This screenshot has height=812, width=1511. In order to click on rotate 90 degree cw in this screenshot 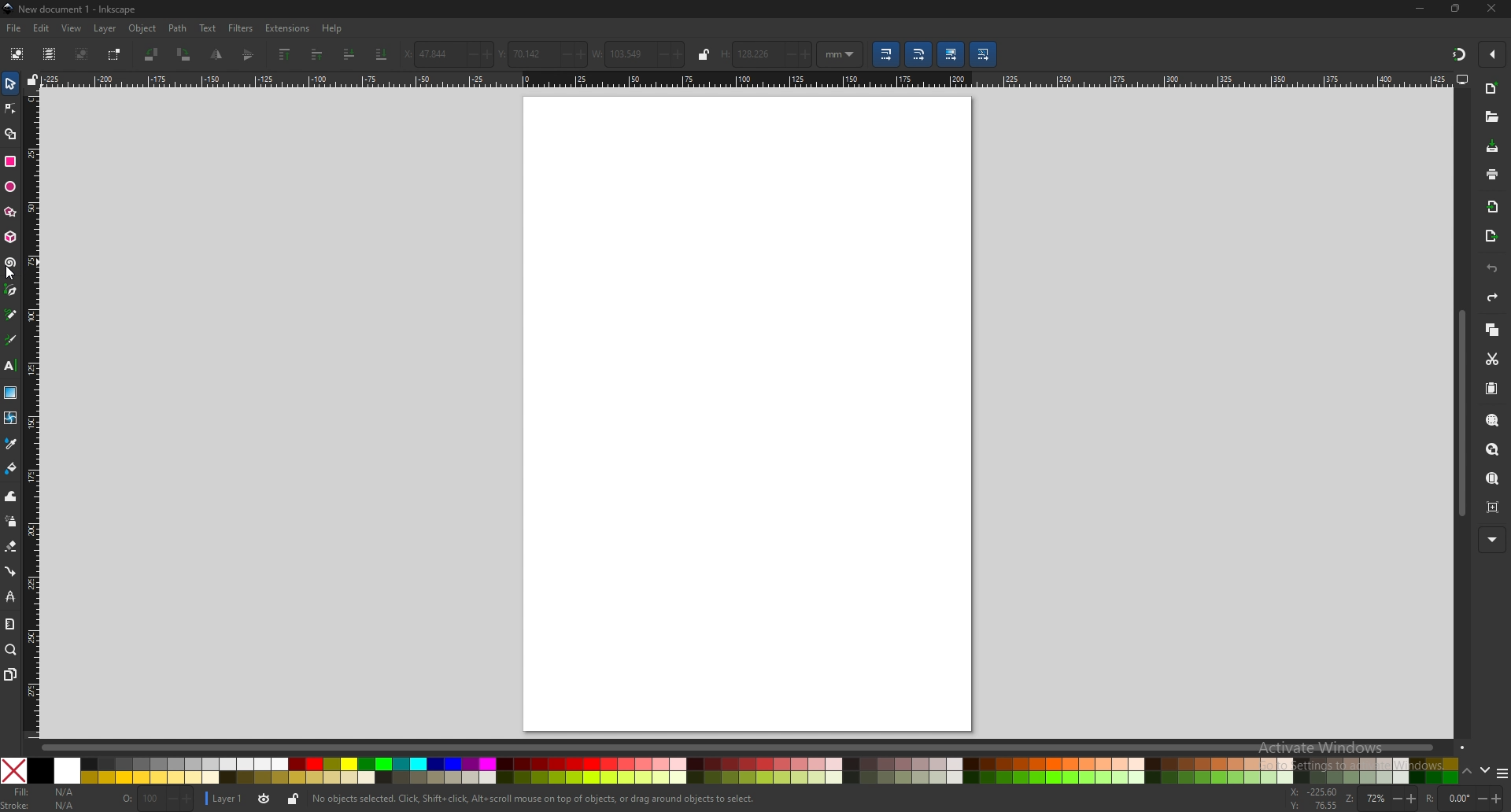, I will do `click(184, 55)`.